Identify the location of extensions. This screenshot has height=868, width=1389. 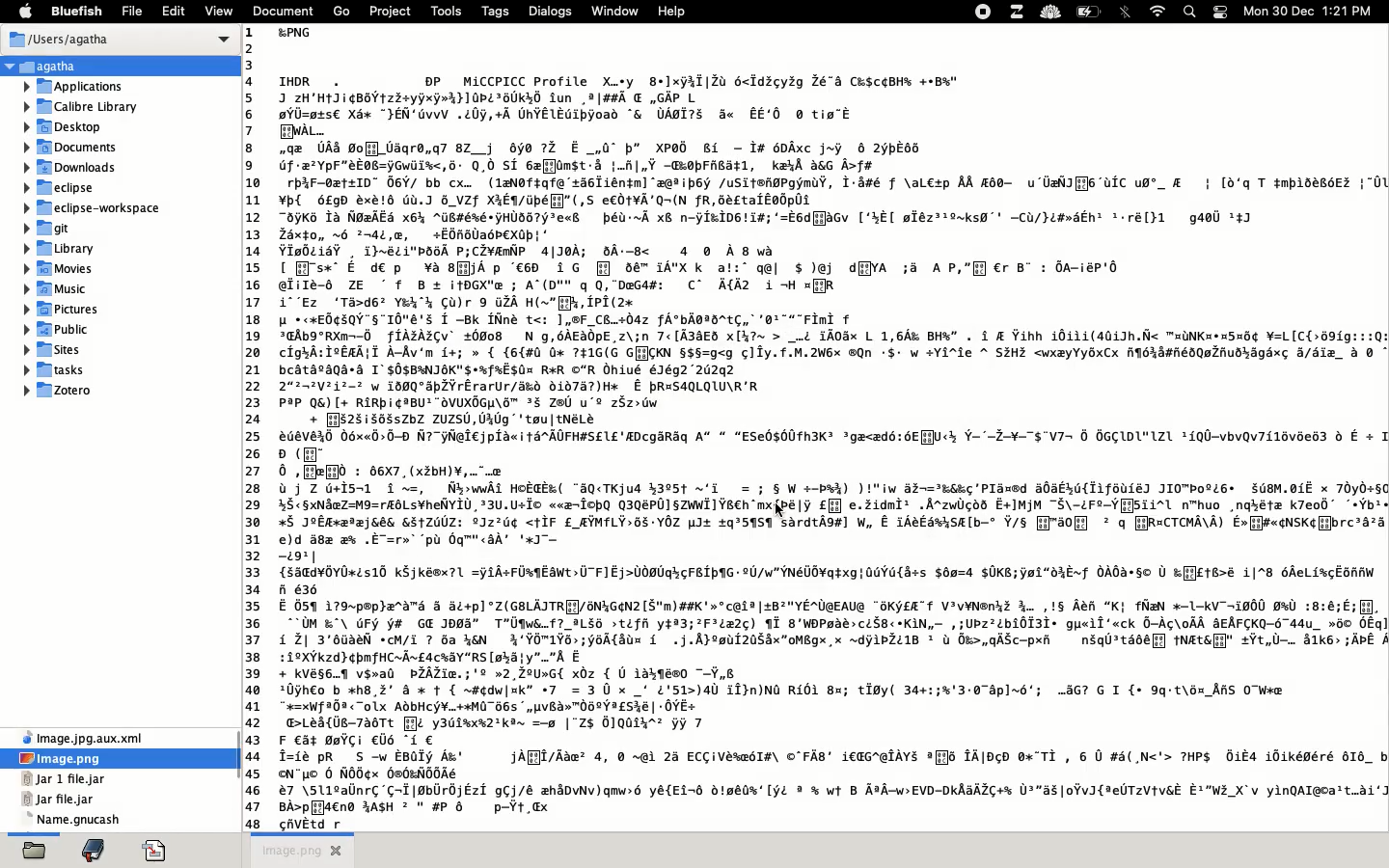
(1019, 12).